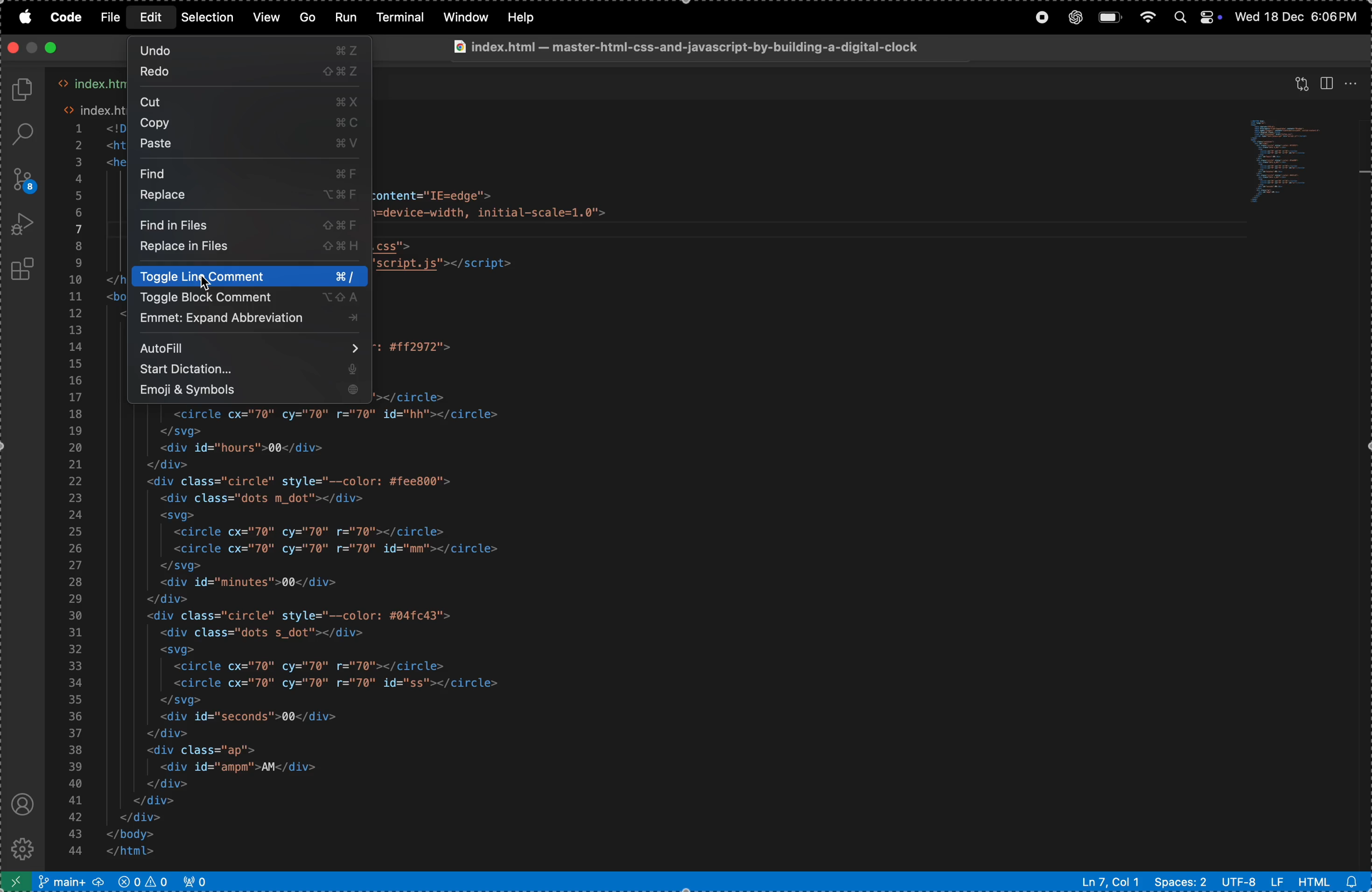 This screenshot has width=1372, height=892. Describe the element at coordinates (306, 18) in the screenshot. I see `Go` at that location.